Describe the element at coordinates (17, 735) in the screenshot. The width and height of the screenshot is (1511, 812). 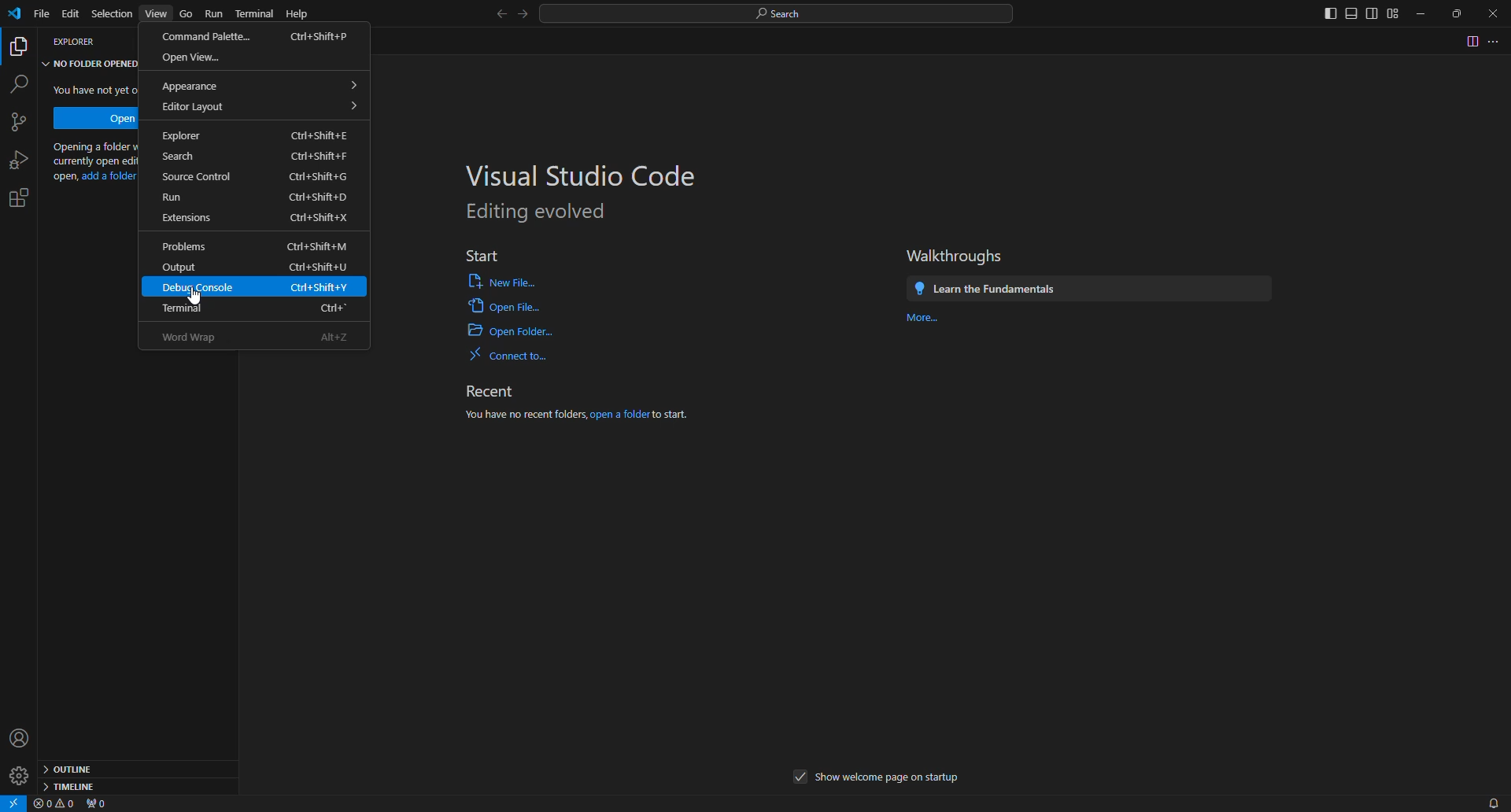
I see `profile` at that location.